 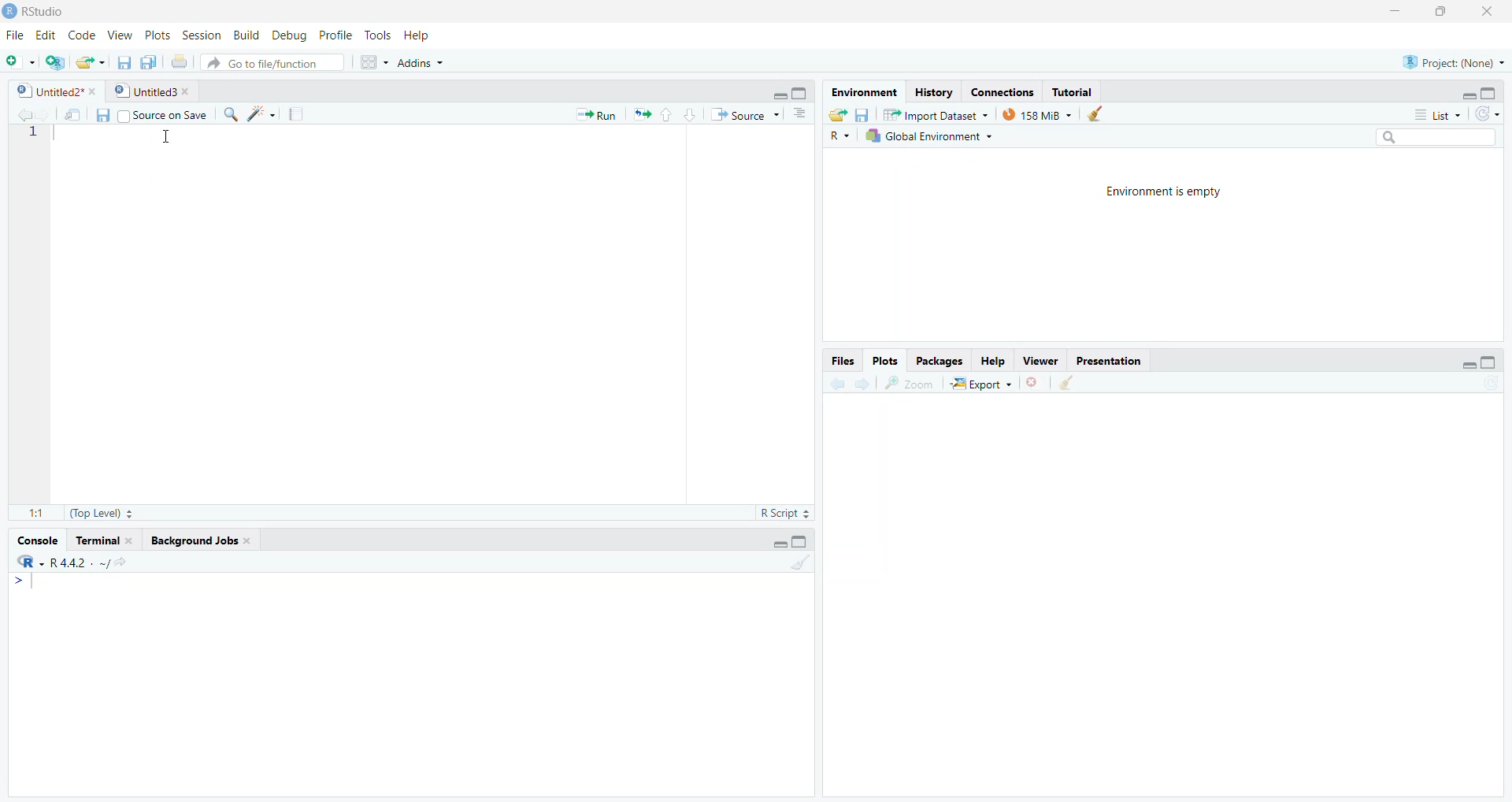 What do you see at coordinates (911, 384) in the screenshot?
I see `Zoom` at bounding box center [911, 384].